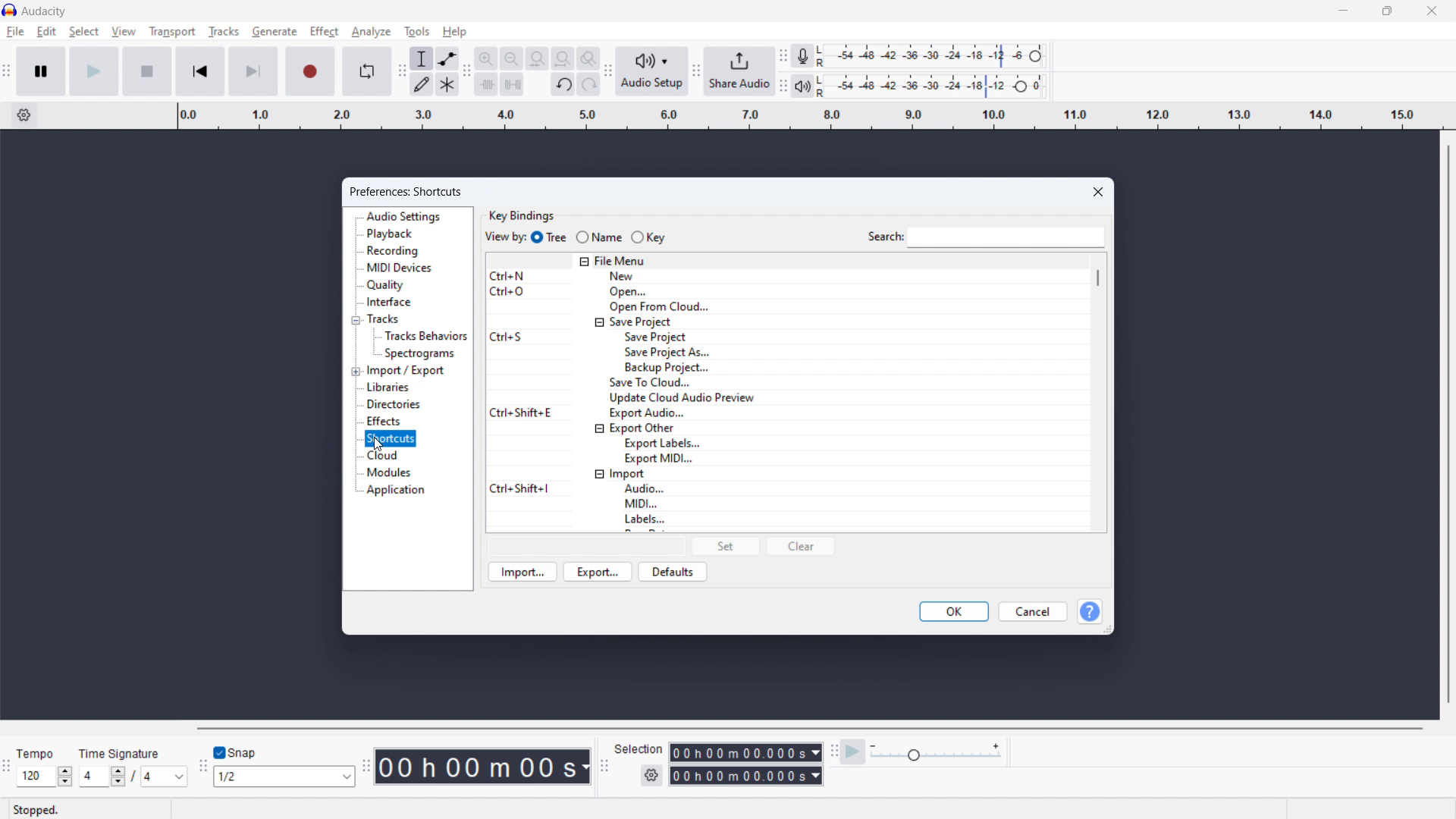 Image resolution: width=1456 pixels, height=819 pixels. I want to click on record, so click(311, 71).